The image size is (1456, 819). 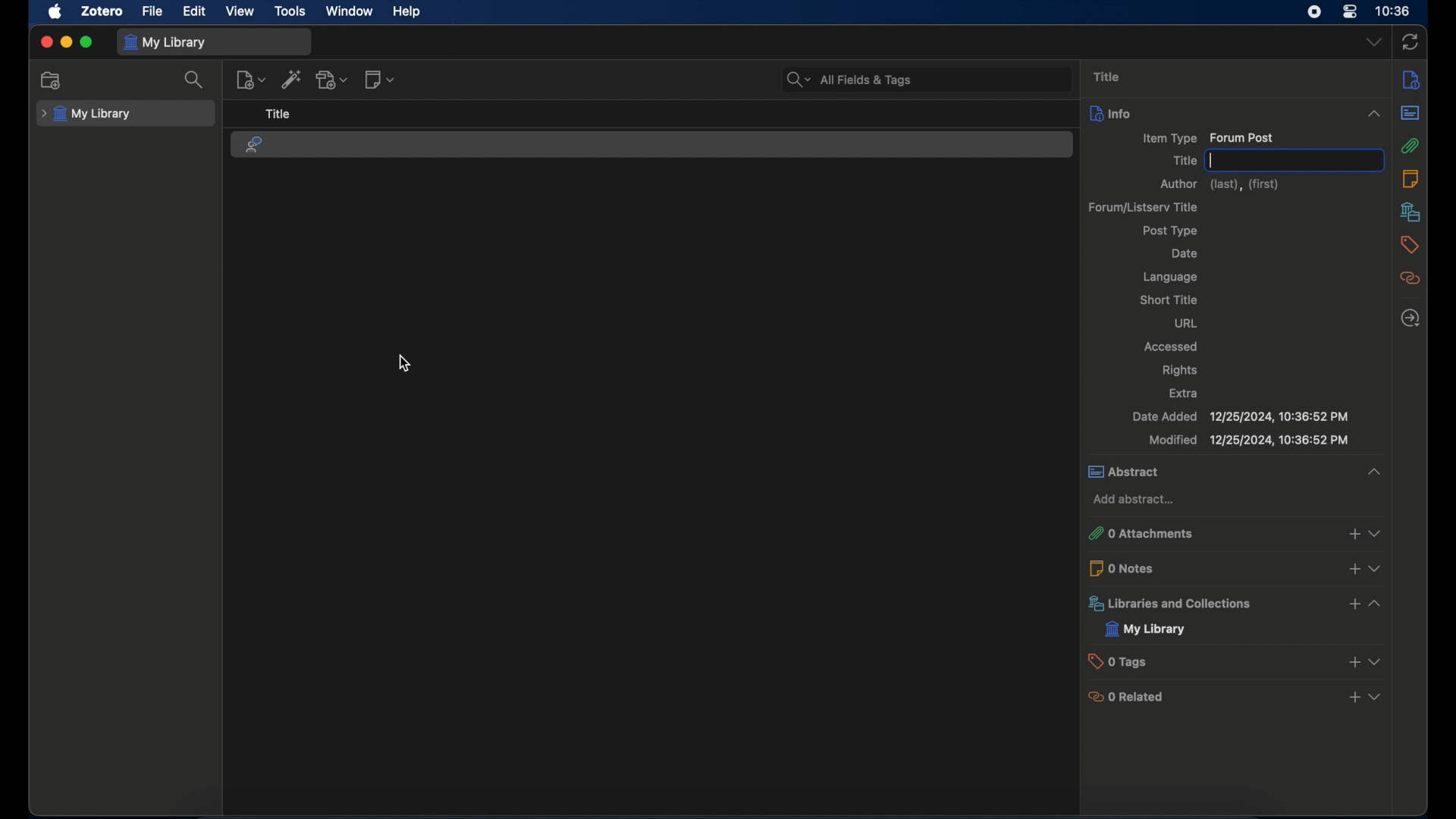 I want to click on abstract, so click(x=1411, y=113).